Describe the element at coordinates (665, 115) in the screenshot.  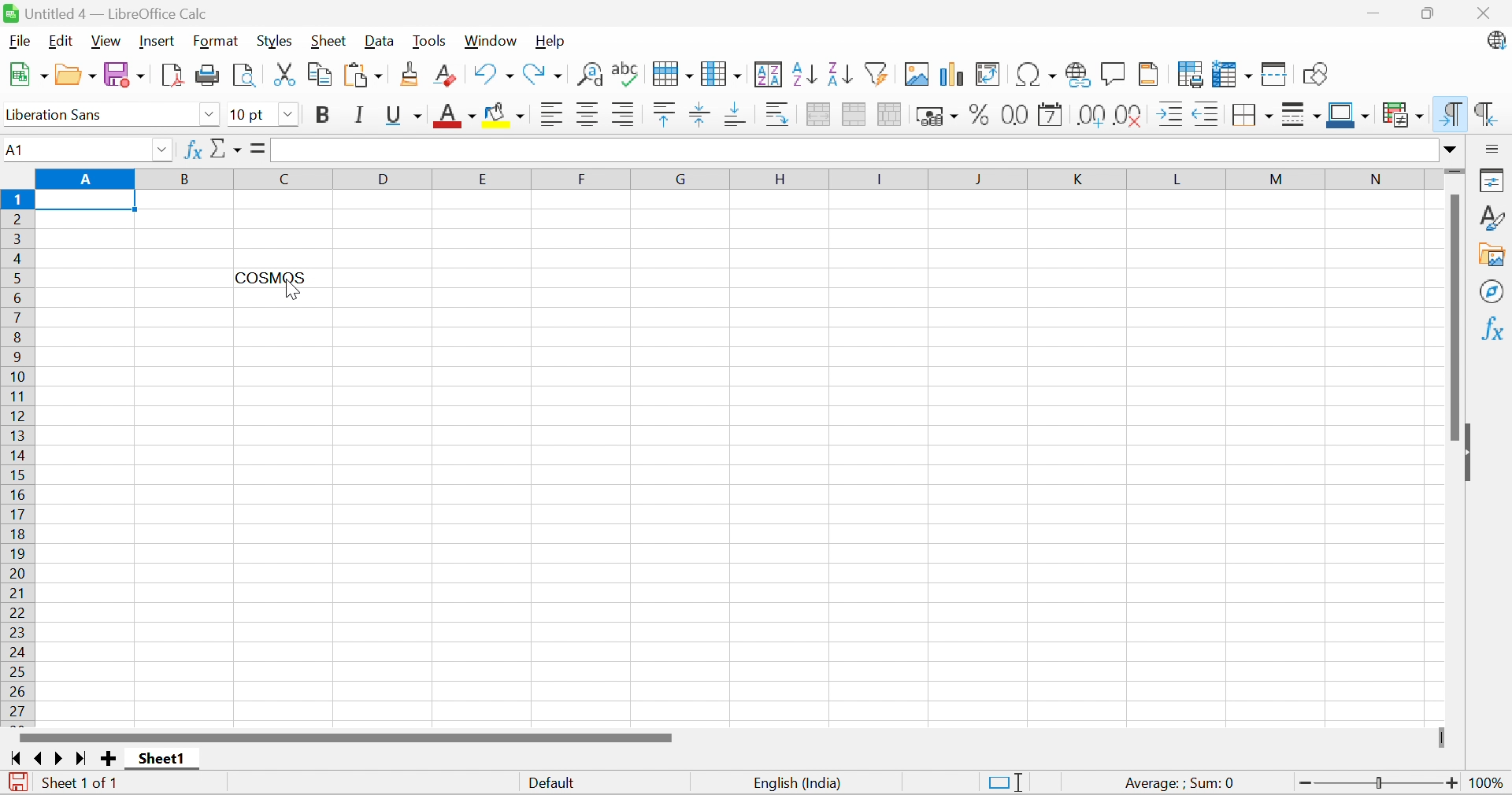
I see `Align Top` at that location.